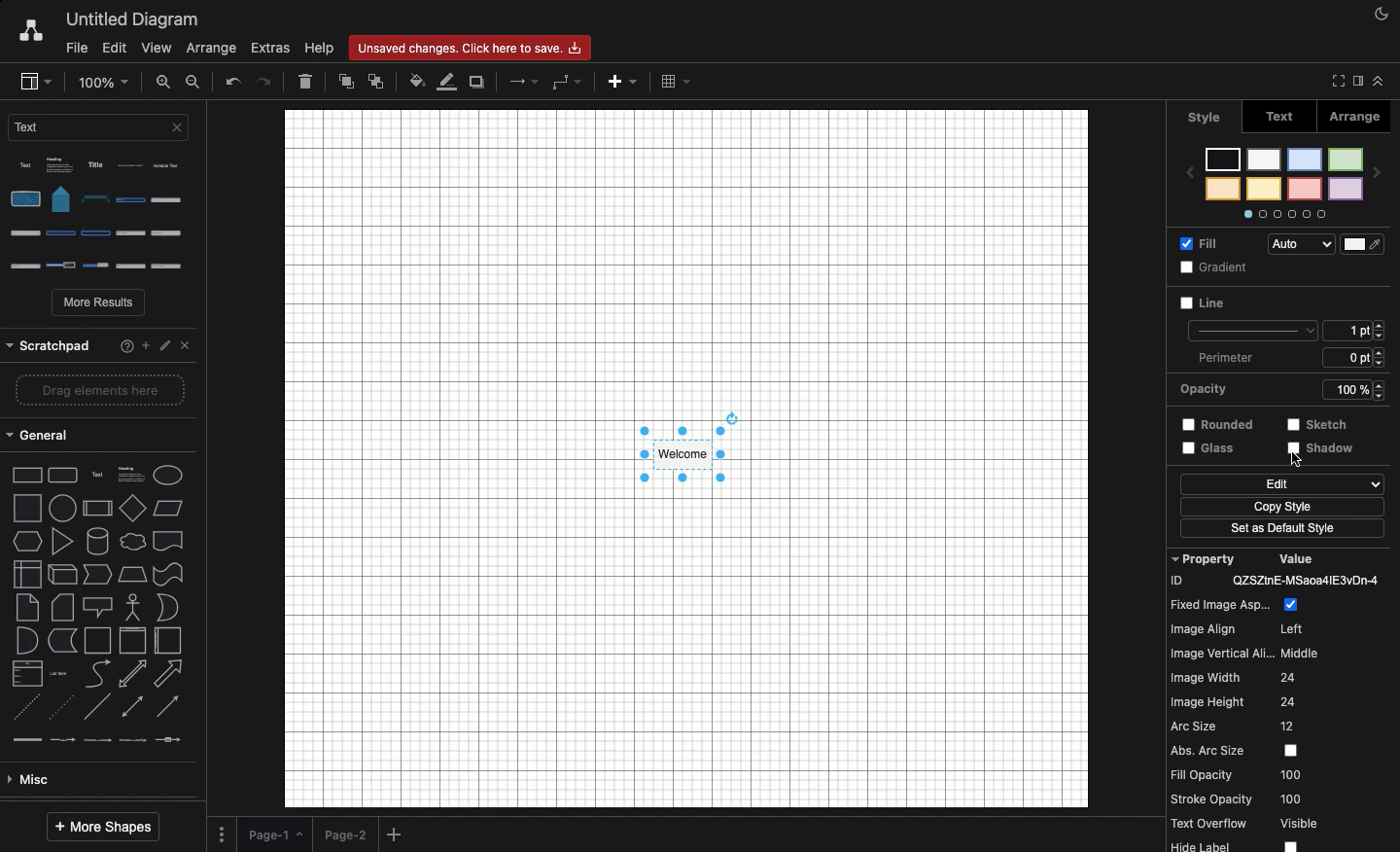 This screenshot has width=1400, height=852. Describe the element at coordinates (1209, 427) in the screenshot. I see `Glass` at that location.